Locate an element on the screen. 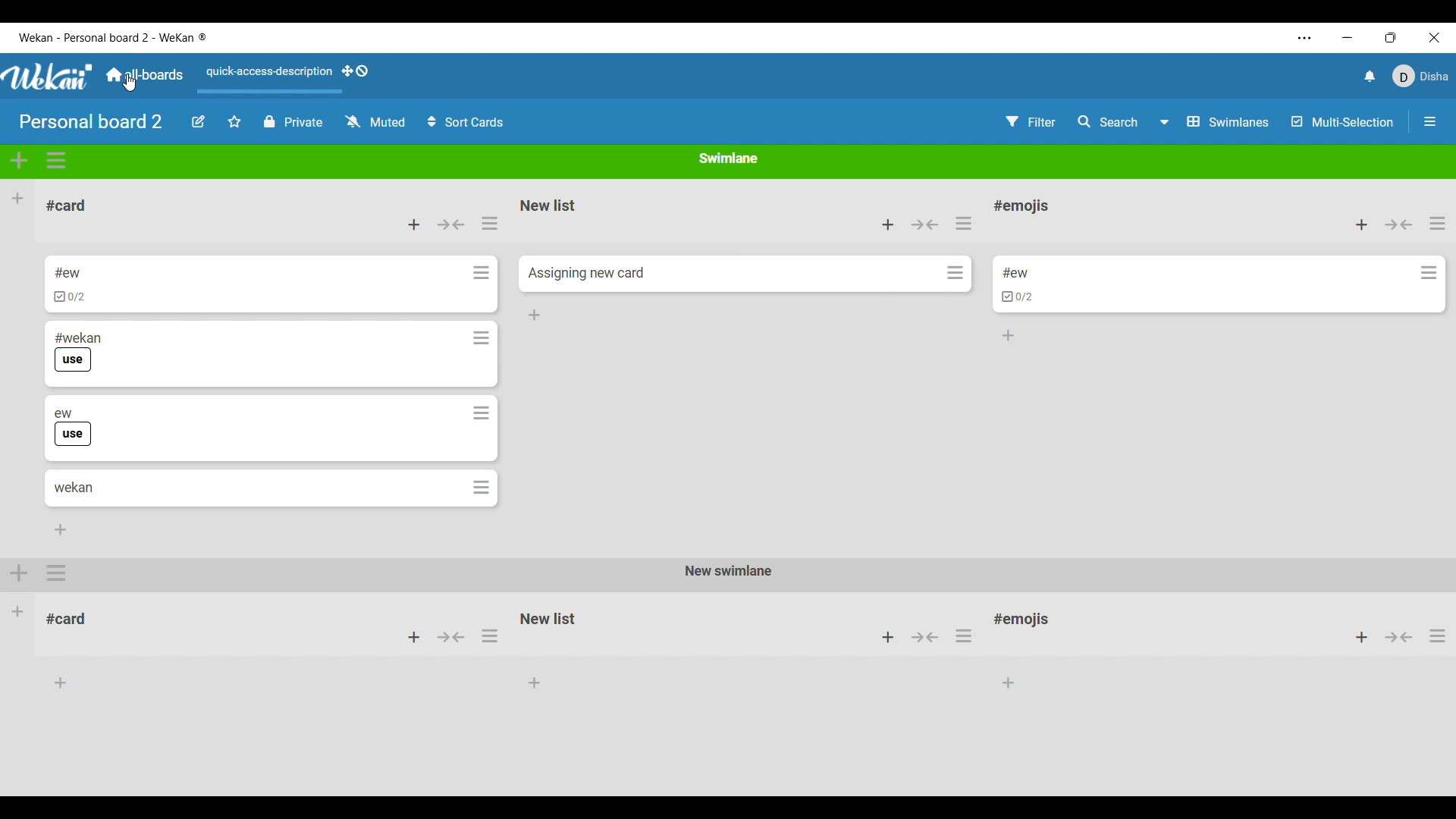  List actions is located at coordinates (964, 223).